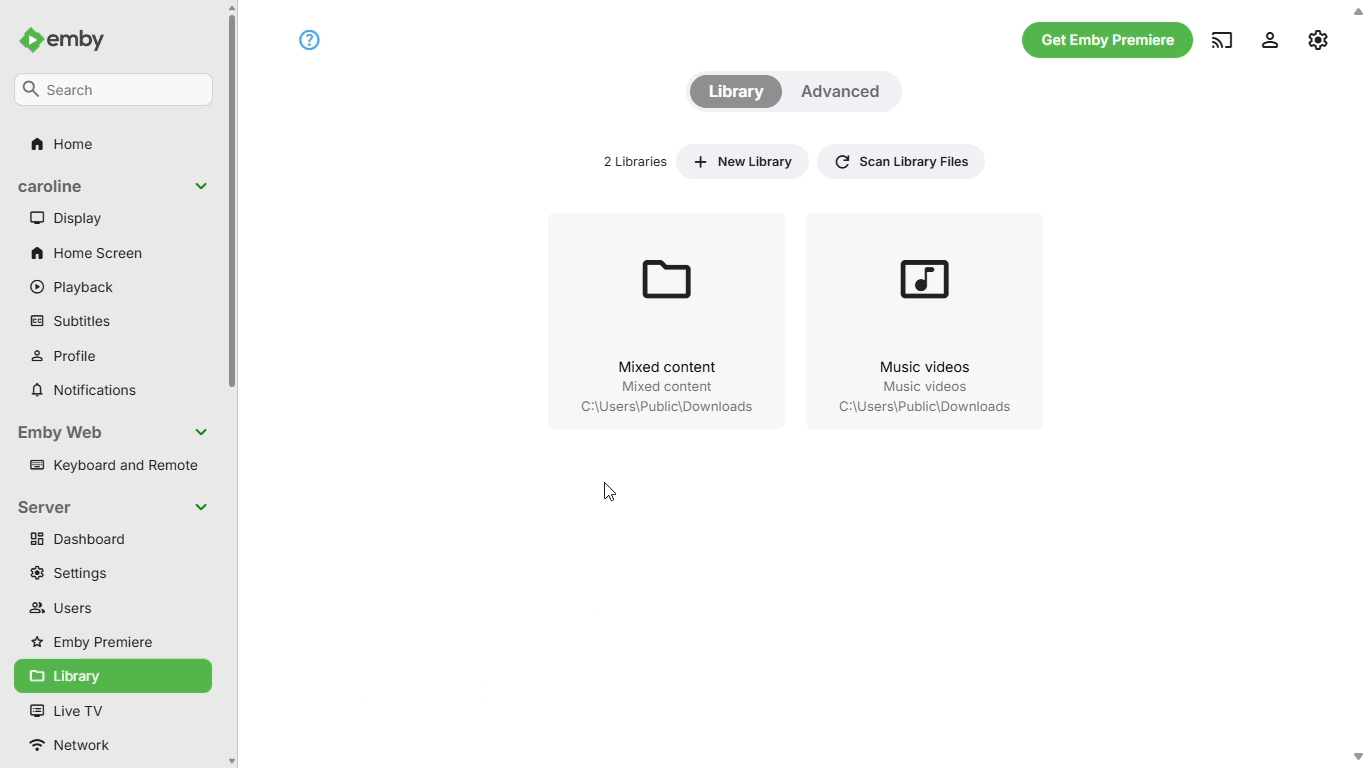  I want to click on Mixed content
Mixed content
C:\Users\Public\Downloads, so click(666, 392).